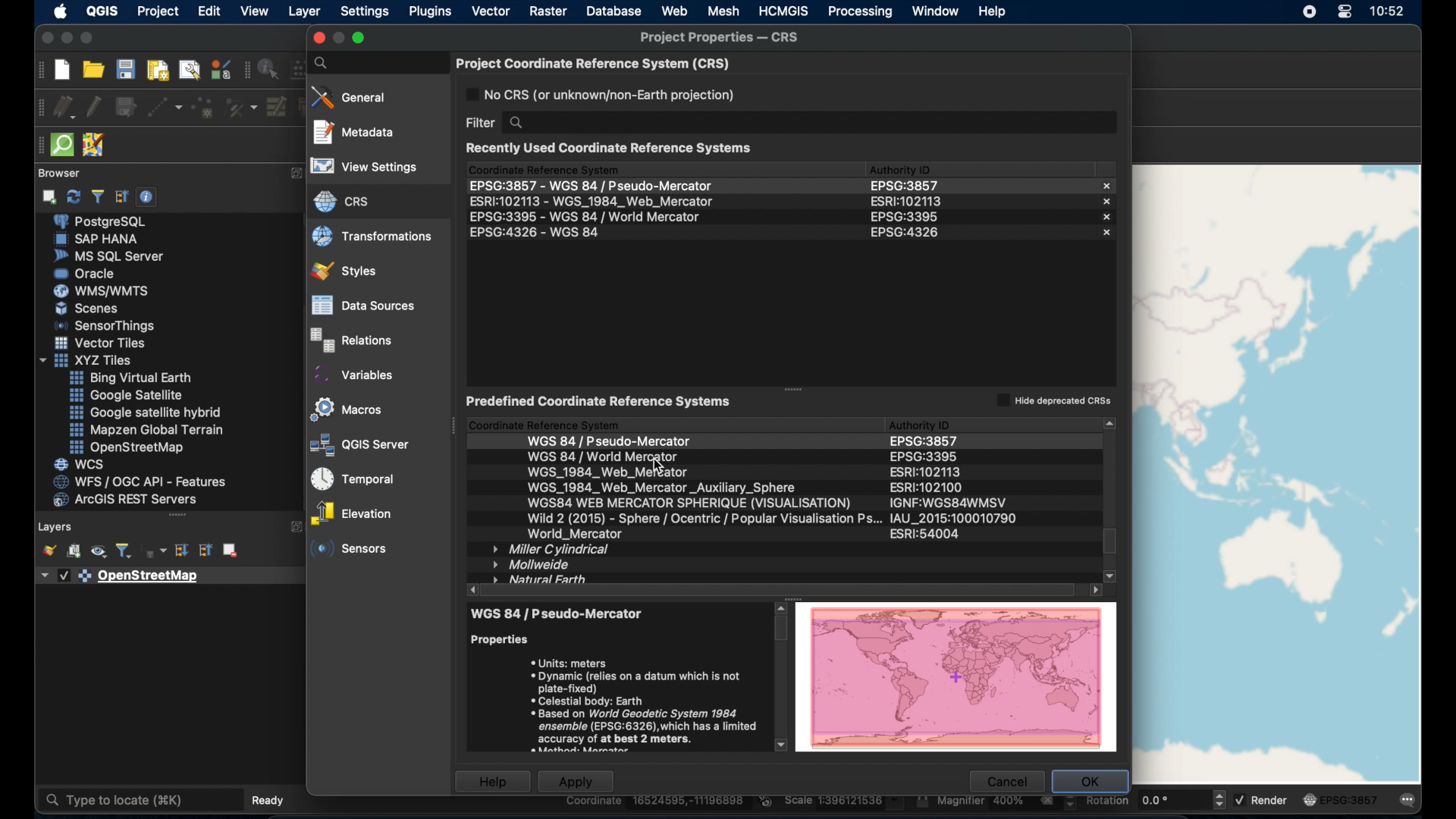 This screenshot has height=819, width=1456. What do you see at coordinates (608, 94) in the screenshot?
I see `no crs or unknown earth projection` at bounding box center [608, 94].